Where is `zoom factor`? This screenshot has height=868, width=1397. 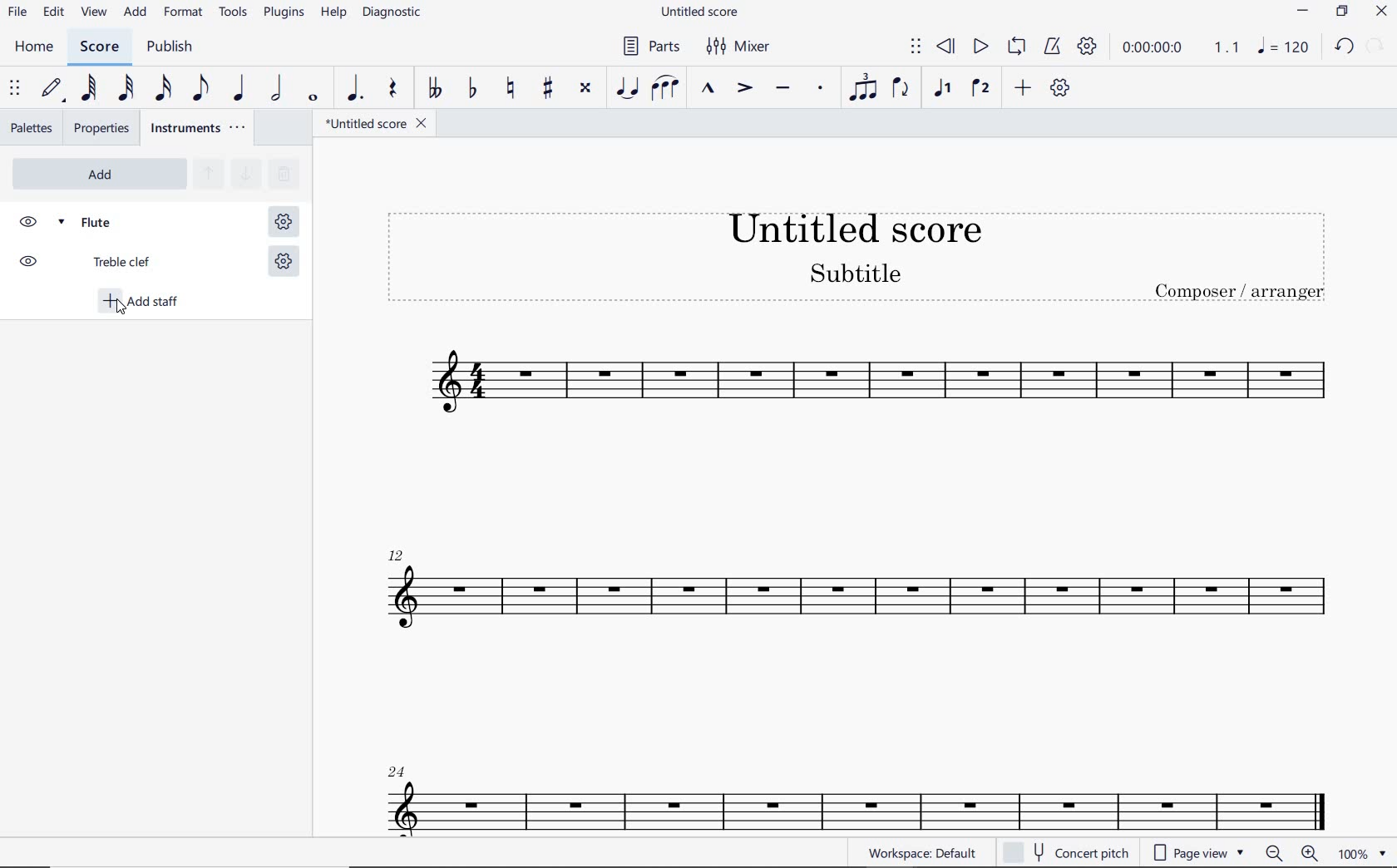 zoom factor is located at coordinates (1360, 854).